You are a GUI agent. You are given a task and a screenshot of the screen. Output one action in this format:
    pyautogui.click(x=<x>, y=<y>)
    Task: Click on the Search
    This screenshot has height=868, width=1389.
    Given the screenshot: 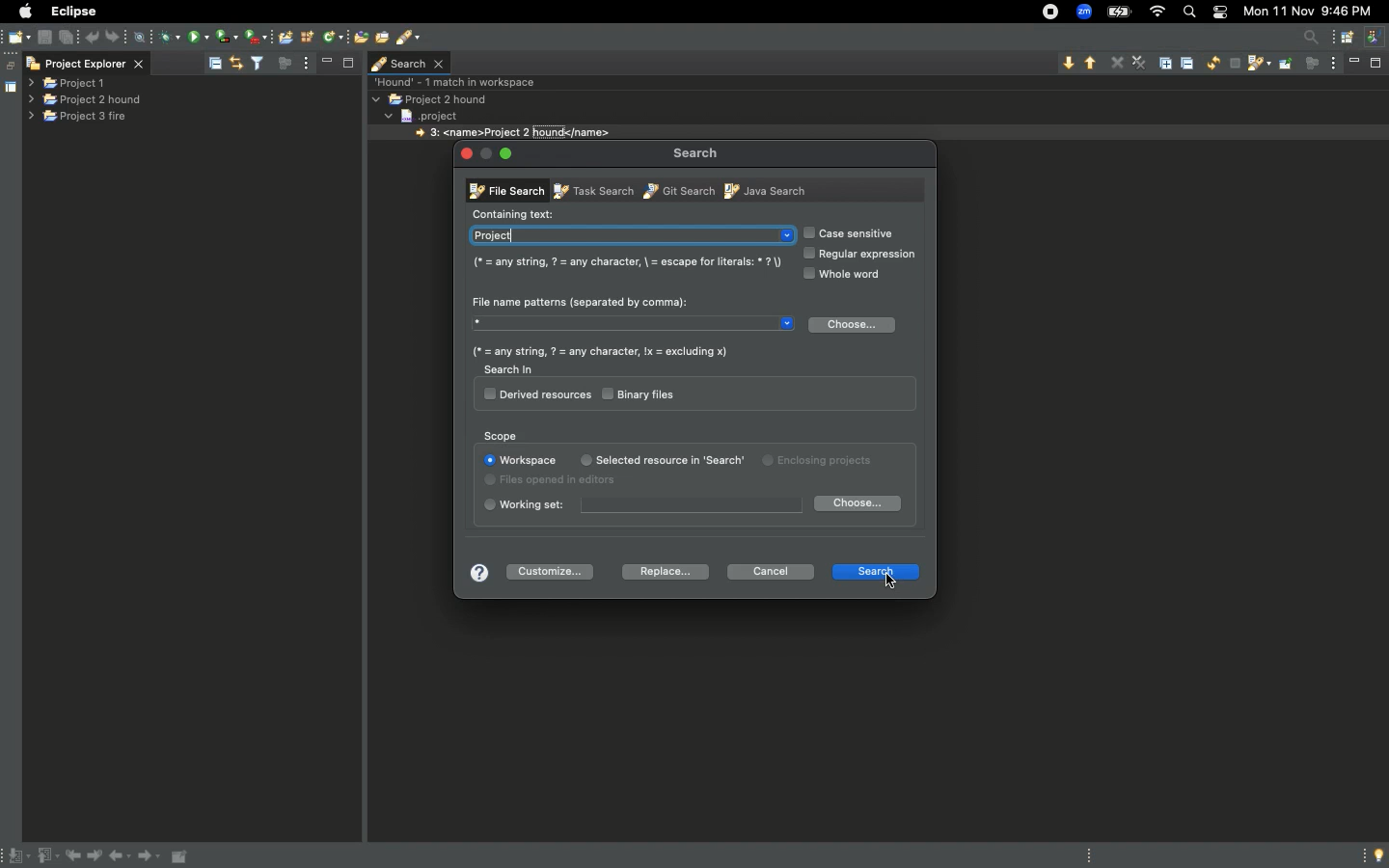 What is the action you would take?
    pyautogui.click(x=696, y=152)
    